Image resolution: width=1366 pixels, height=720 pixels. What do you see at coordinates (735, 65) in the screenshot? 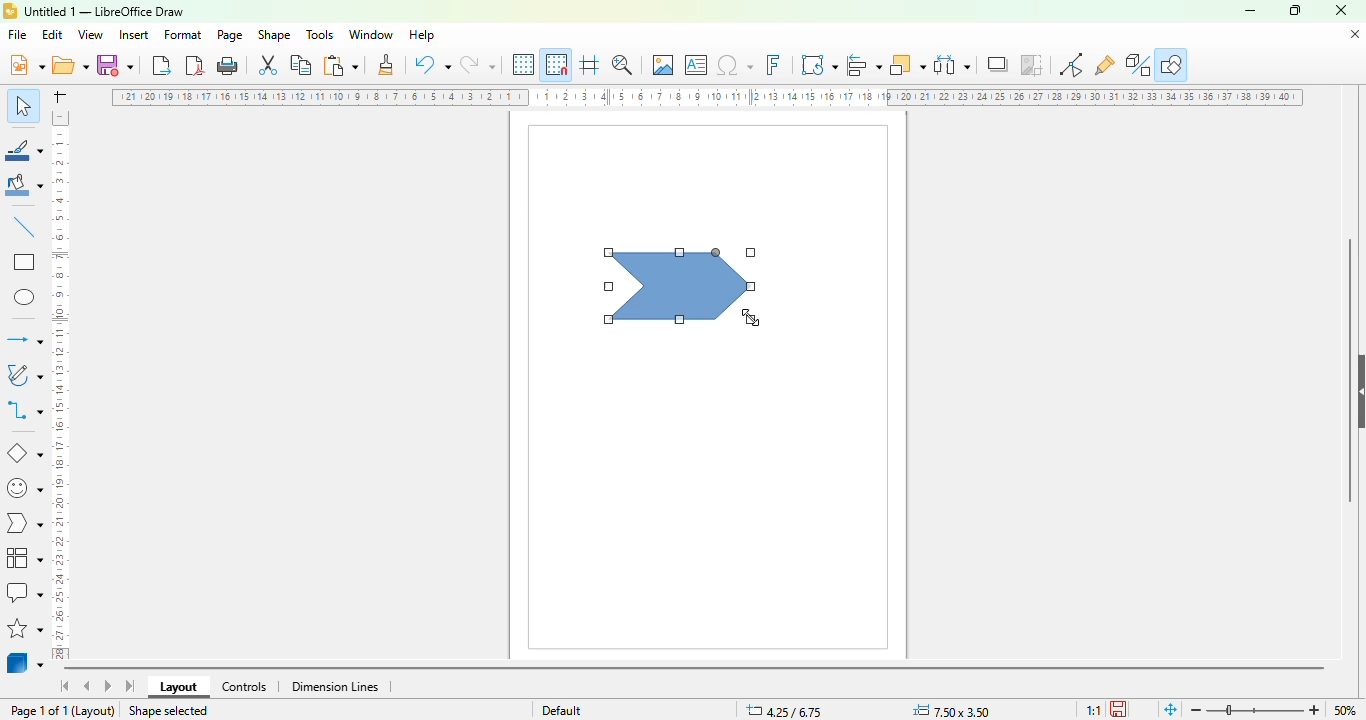
I see `insert special characters` at bounding box center [735, 65].